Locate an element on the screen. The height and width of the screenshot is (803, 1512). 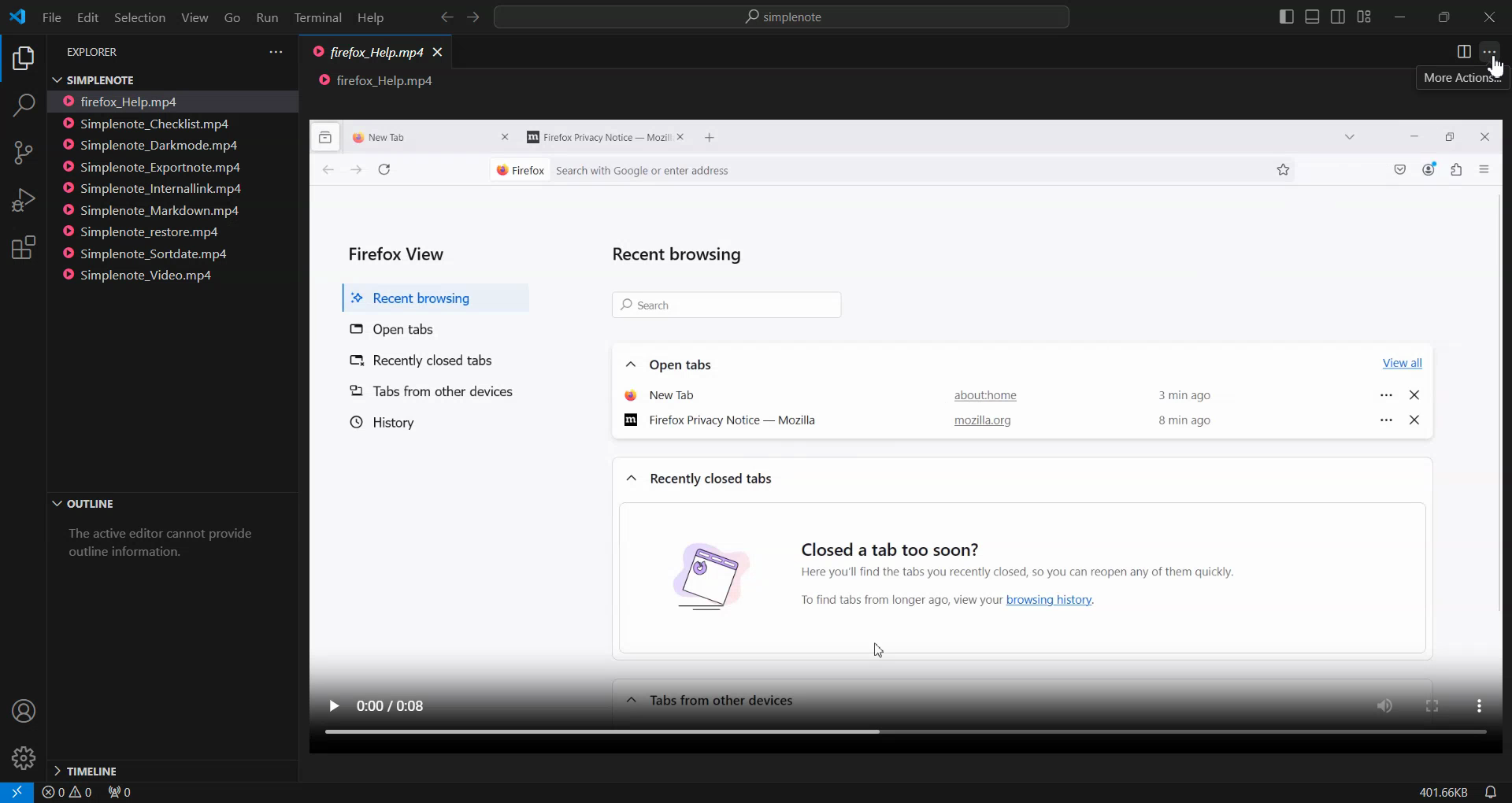
pause is located at coordinates (333, 704).